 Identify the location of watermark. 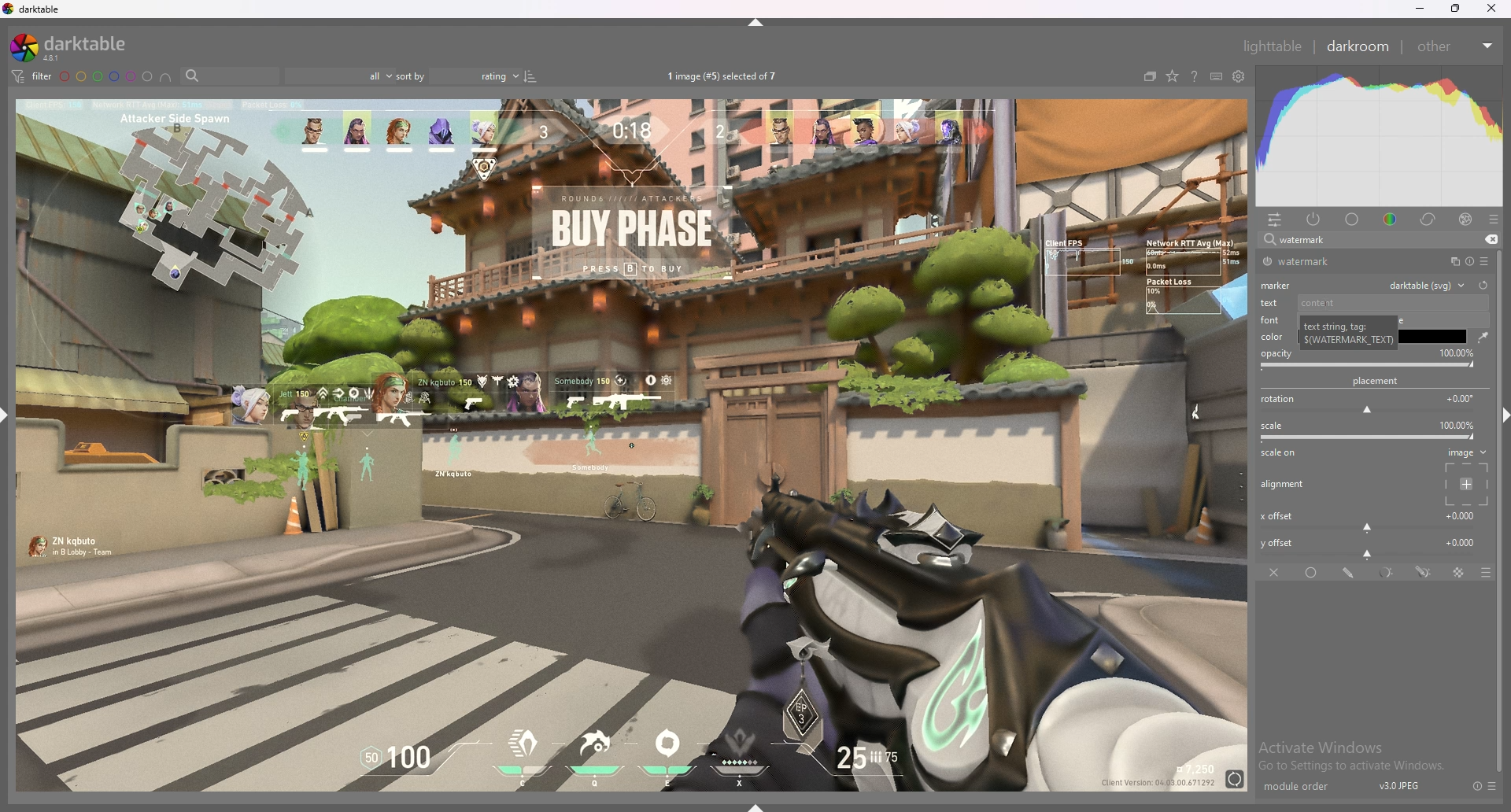
(1317, 262).